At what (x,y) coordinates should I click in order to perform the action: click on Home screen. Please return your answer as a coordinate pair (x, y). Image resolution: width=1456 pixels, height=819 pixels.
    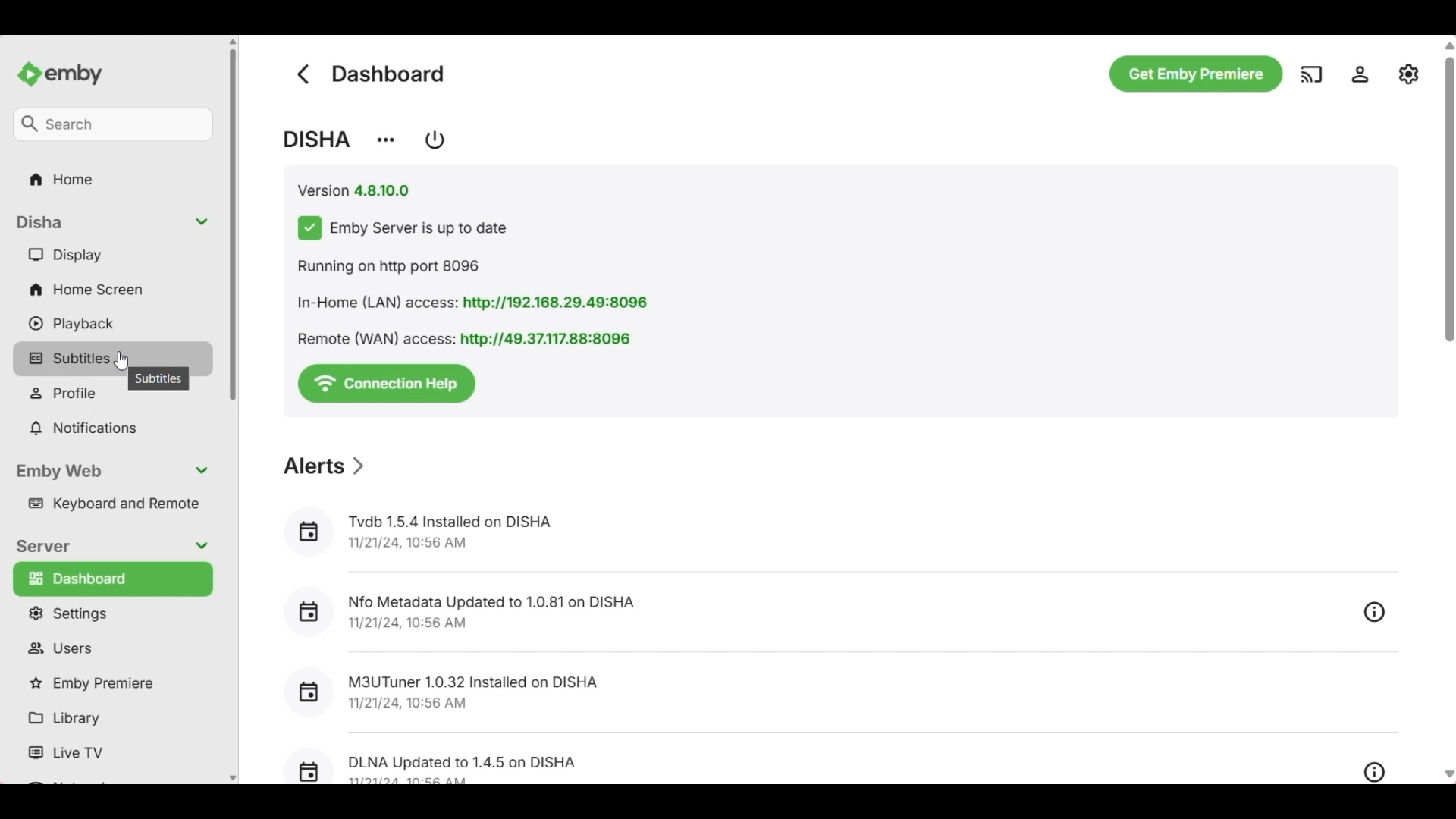
    Looking at the image, I should click on (115, 290).